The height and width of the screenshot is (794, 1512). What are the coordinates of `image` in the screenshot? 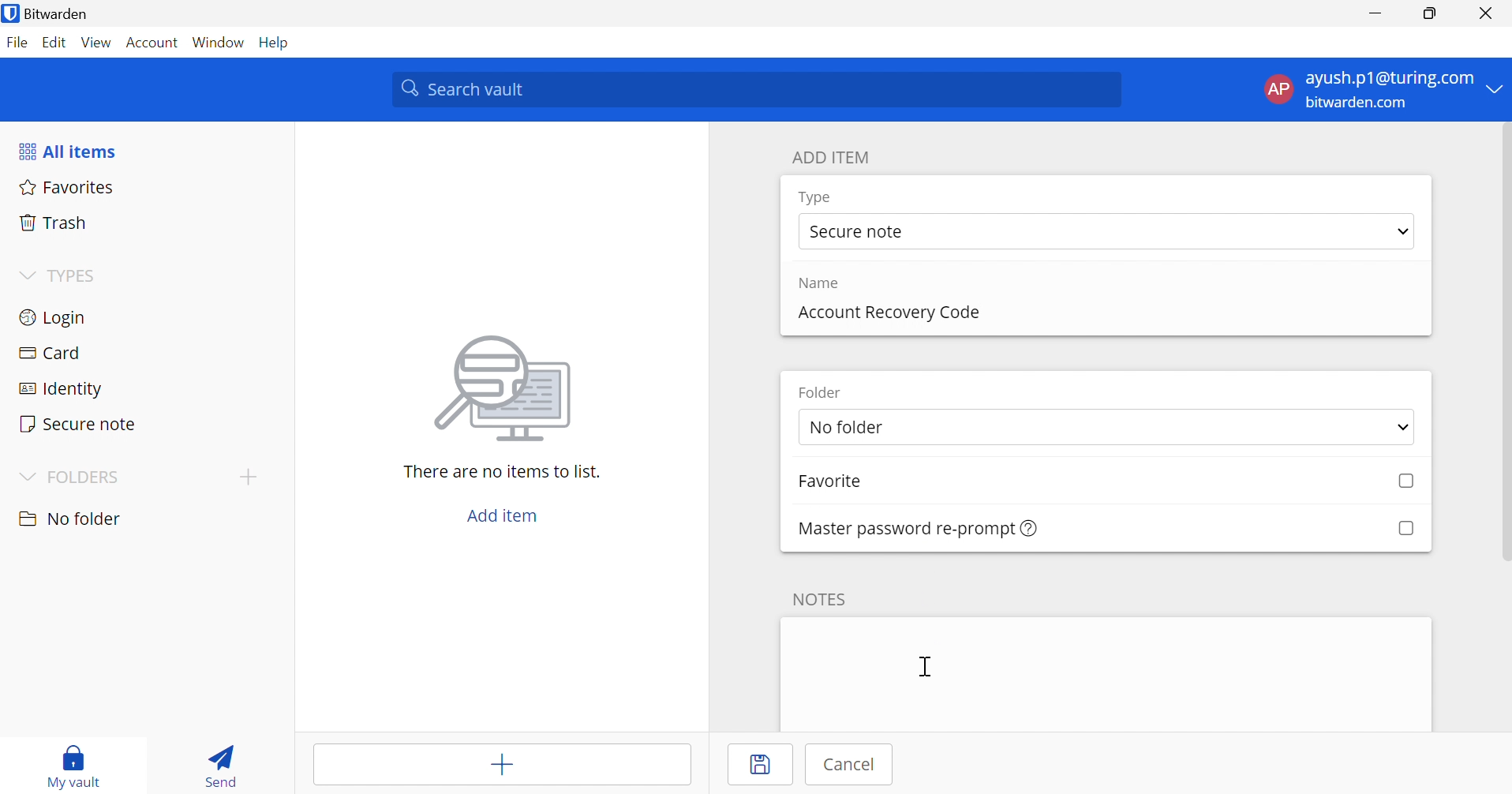 It's located at (508, 388).